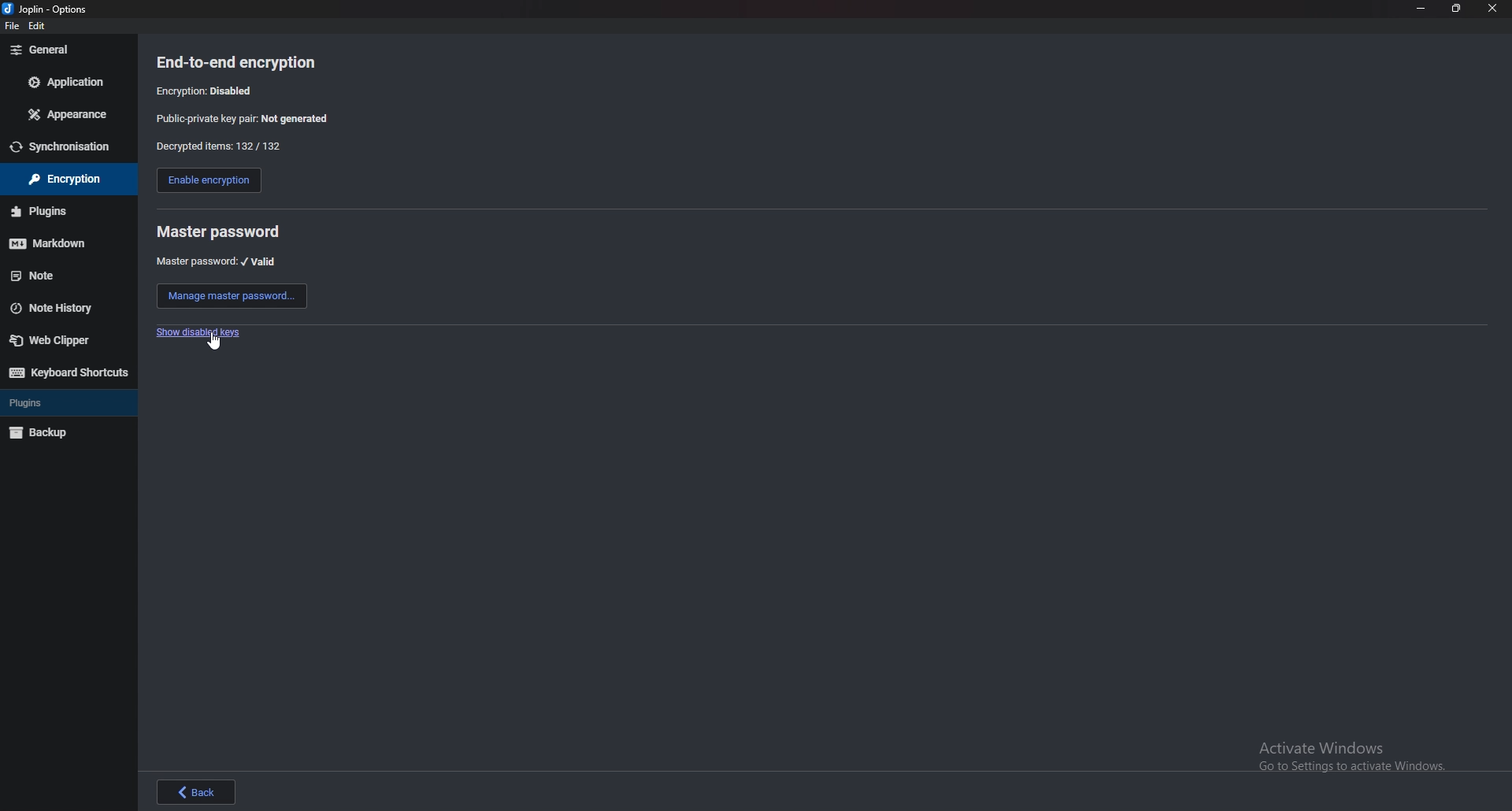  I want to click on markdown, so click(63, 243).